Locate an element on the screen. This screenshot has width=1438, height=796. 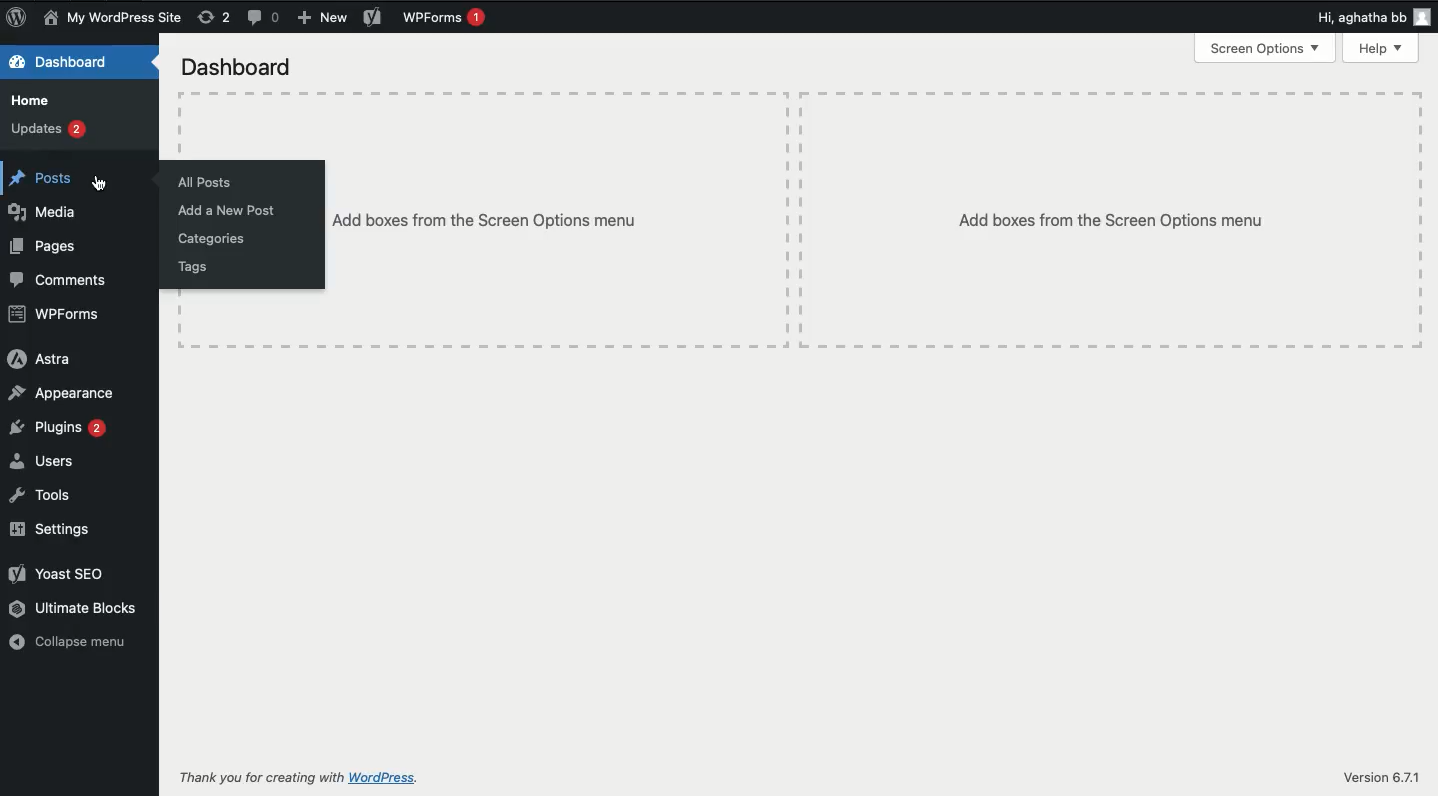
Dashboard is located at coordinates (235, 67).